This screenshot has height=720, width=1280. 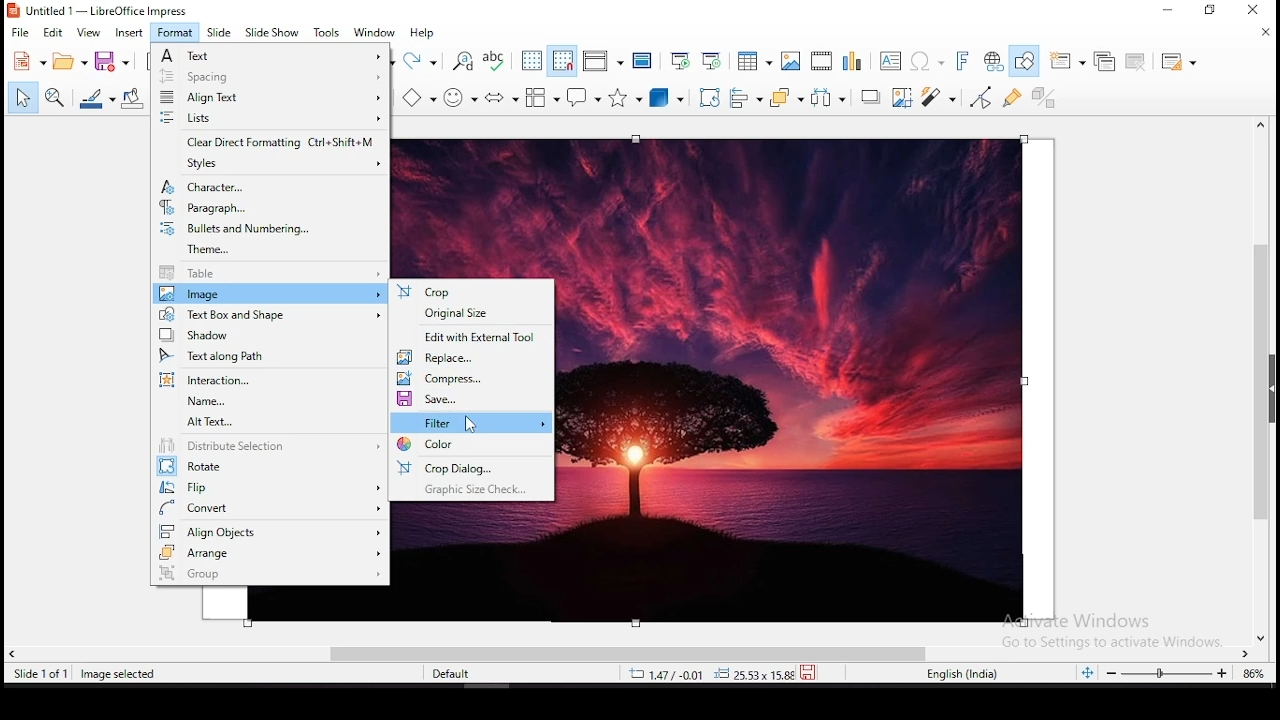 I want to click on filter, so click(x=473, y=422).